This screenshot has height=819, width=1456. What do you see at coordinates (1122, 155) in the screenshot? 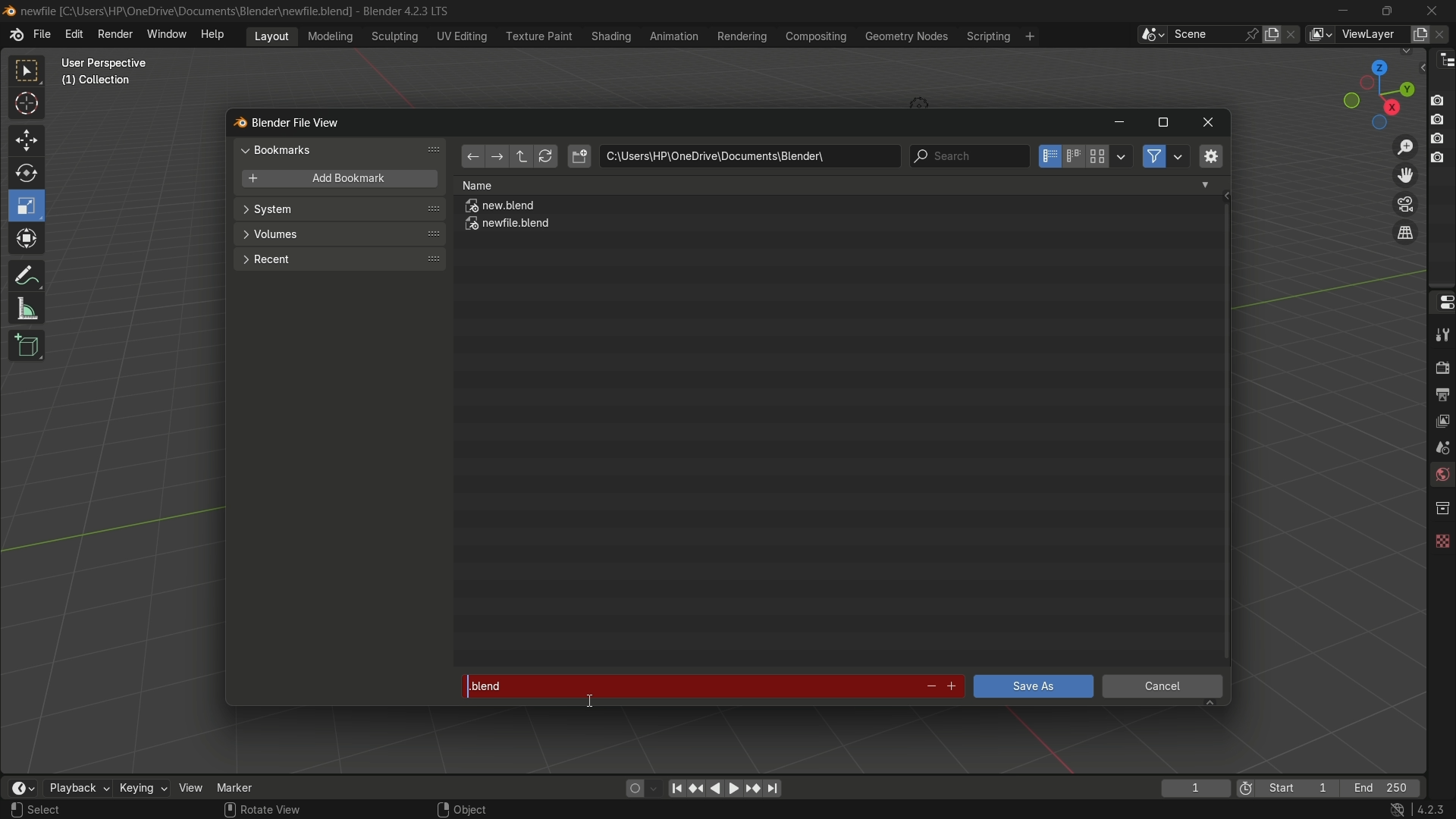
I see `display settings` at bounding box center [1122, 155].